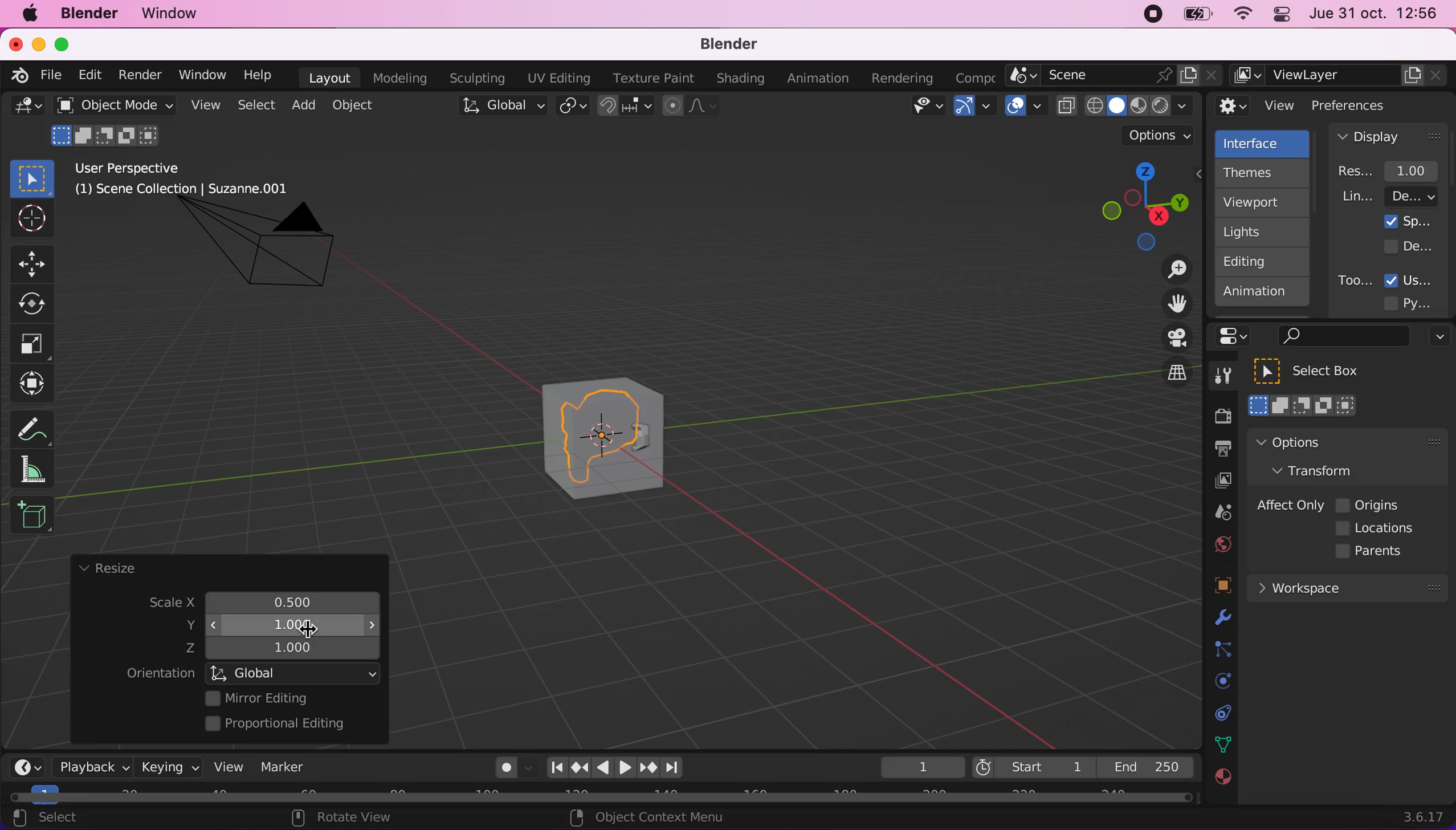 This screenshot has height=830, width=1456. What do you see at coordinates (921, 768) in the screenshot?
I see `keyframe` at bounding box center [921, 768].